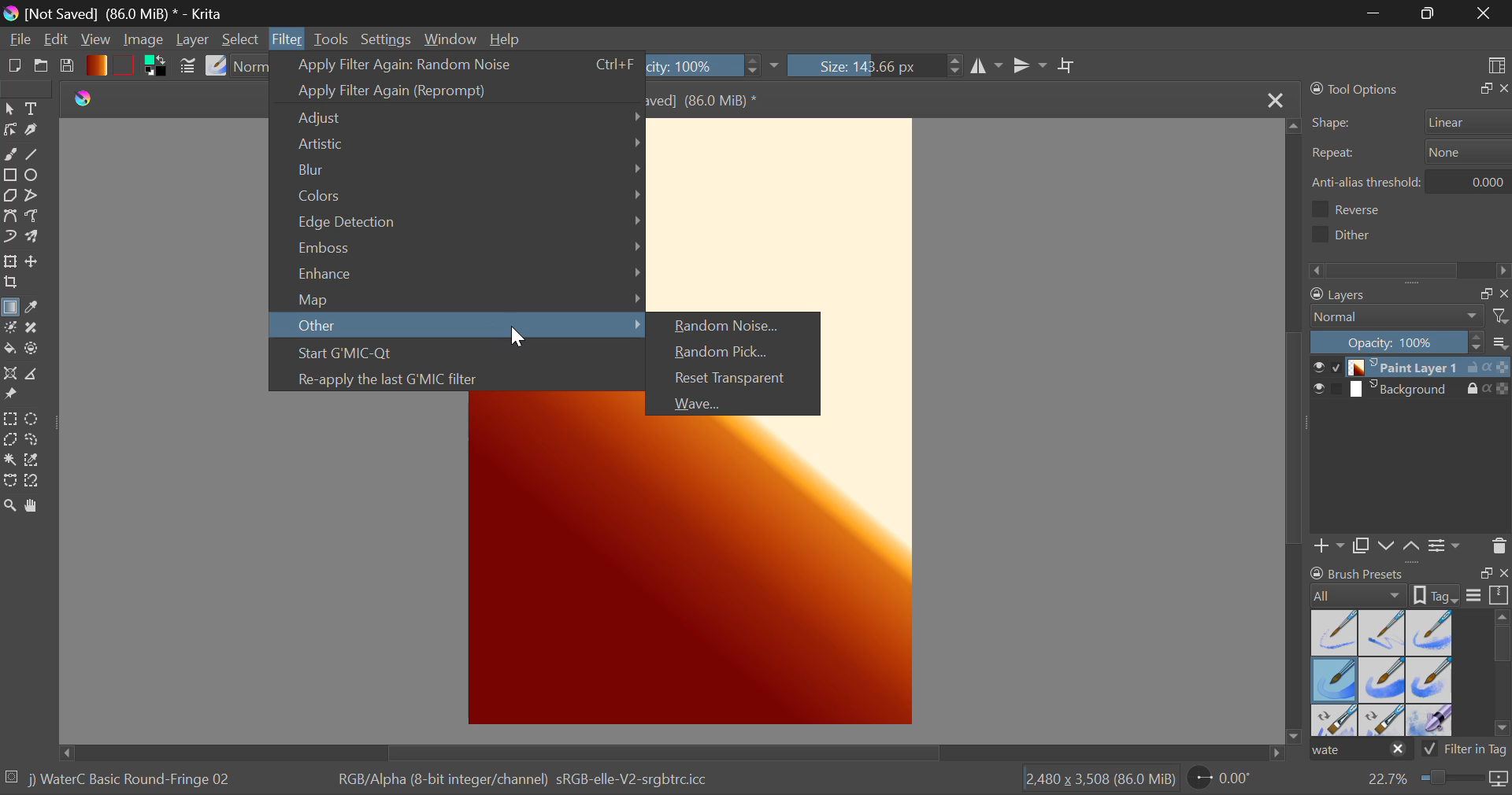 This screenshot has width=1512, height=795. I want to click on Zoom, so click(10, 506).